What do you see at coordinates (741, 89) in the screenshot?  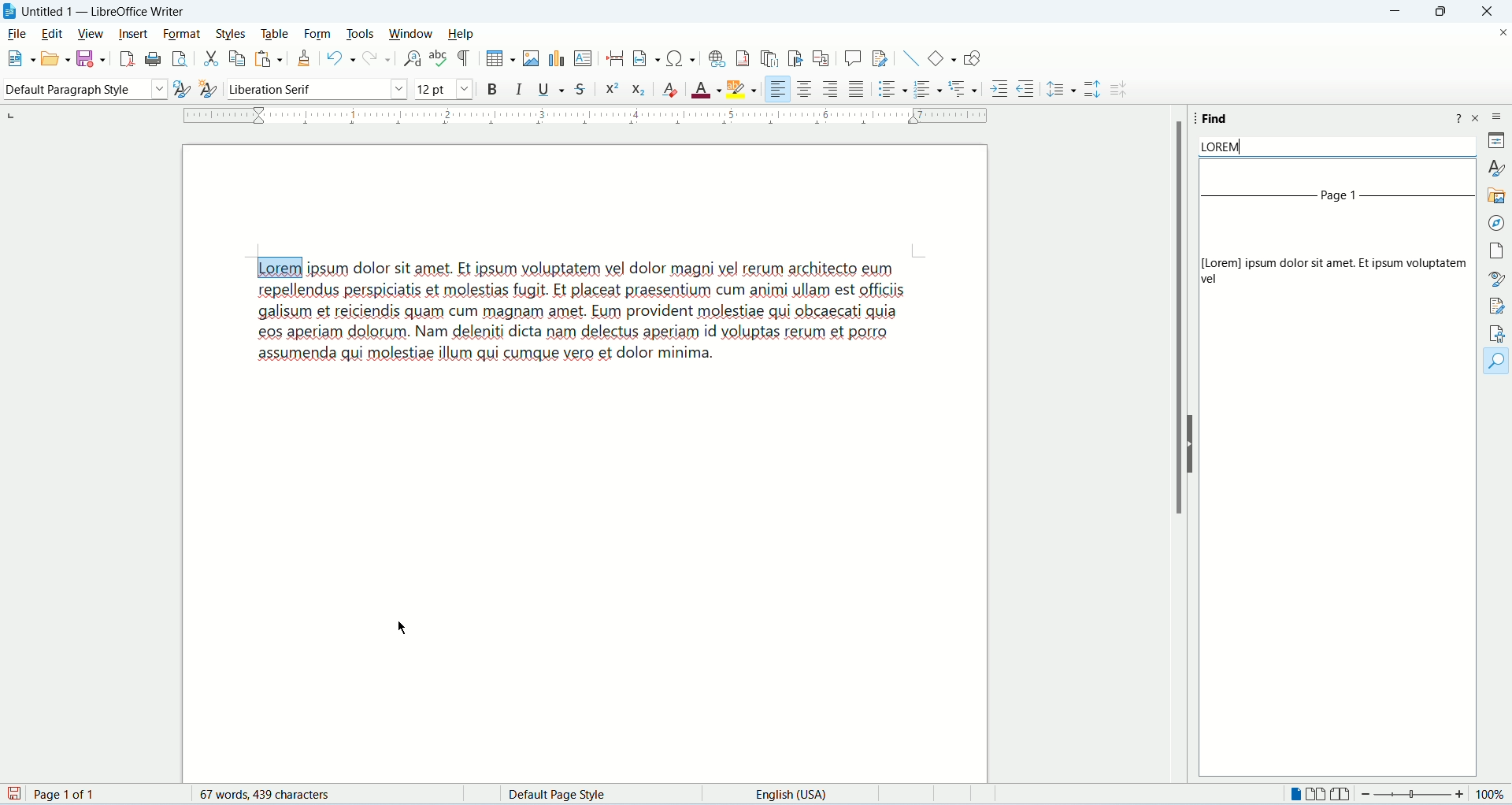 I see `highlighting color` at bounding box center [741, 89].